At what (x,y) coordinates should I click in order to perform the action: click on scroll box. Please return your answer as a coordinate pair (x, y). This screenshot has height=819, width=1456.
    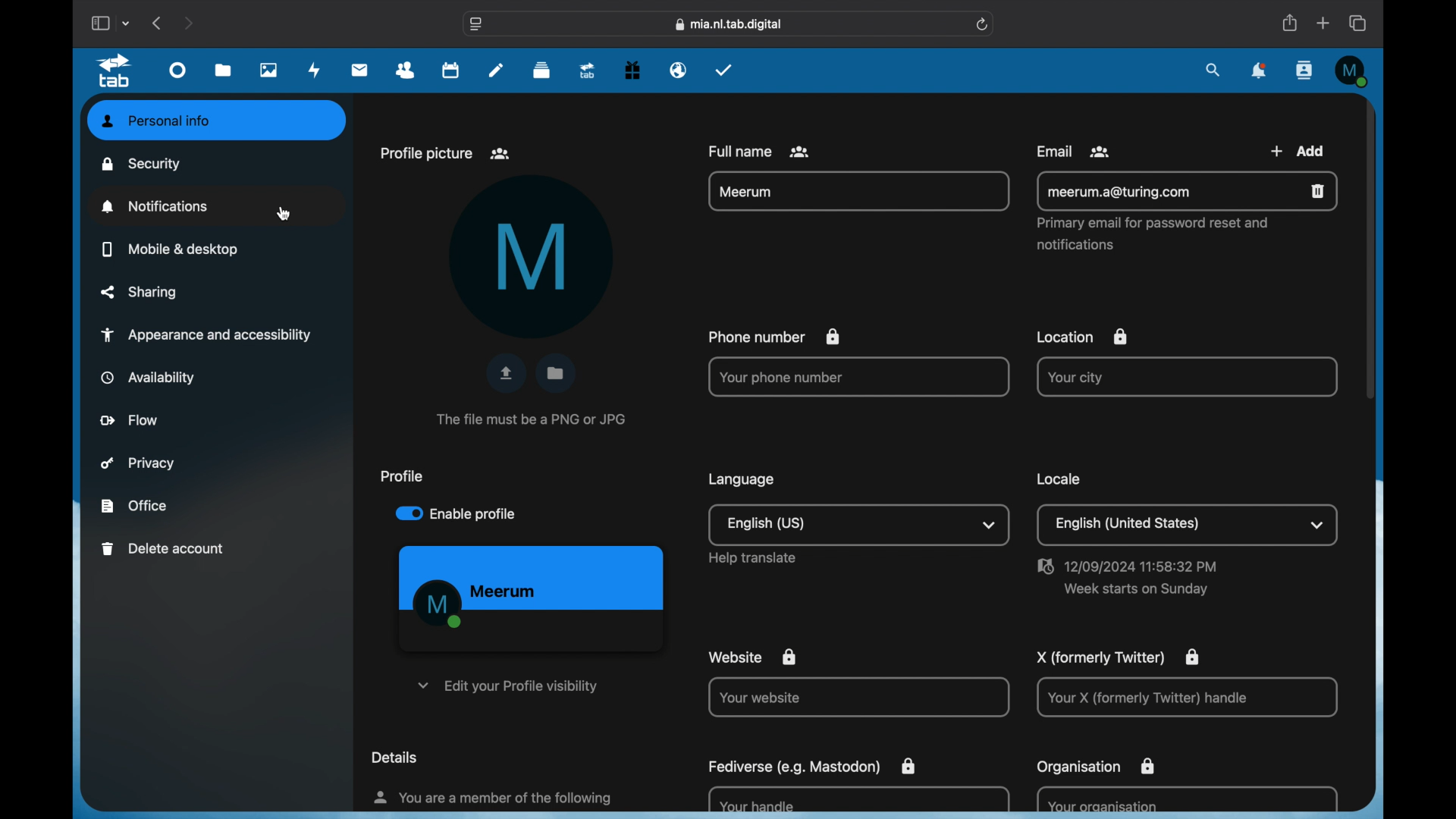
    Looking at the image, I should click on (1371, 249).